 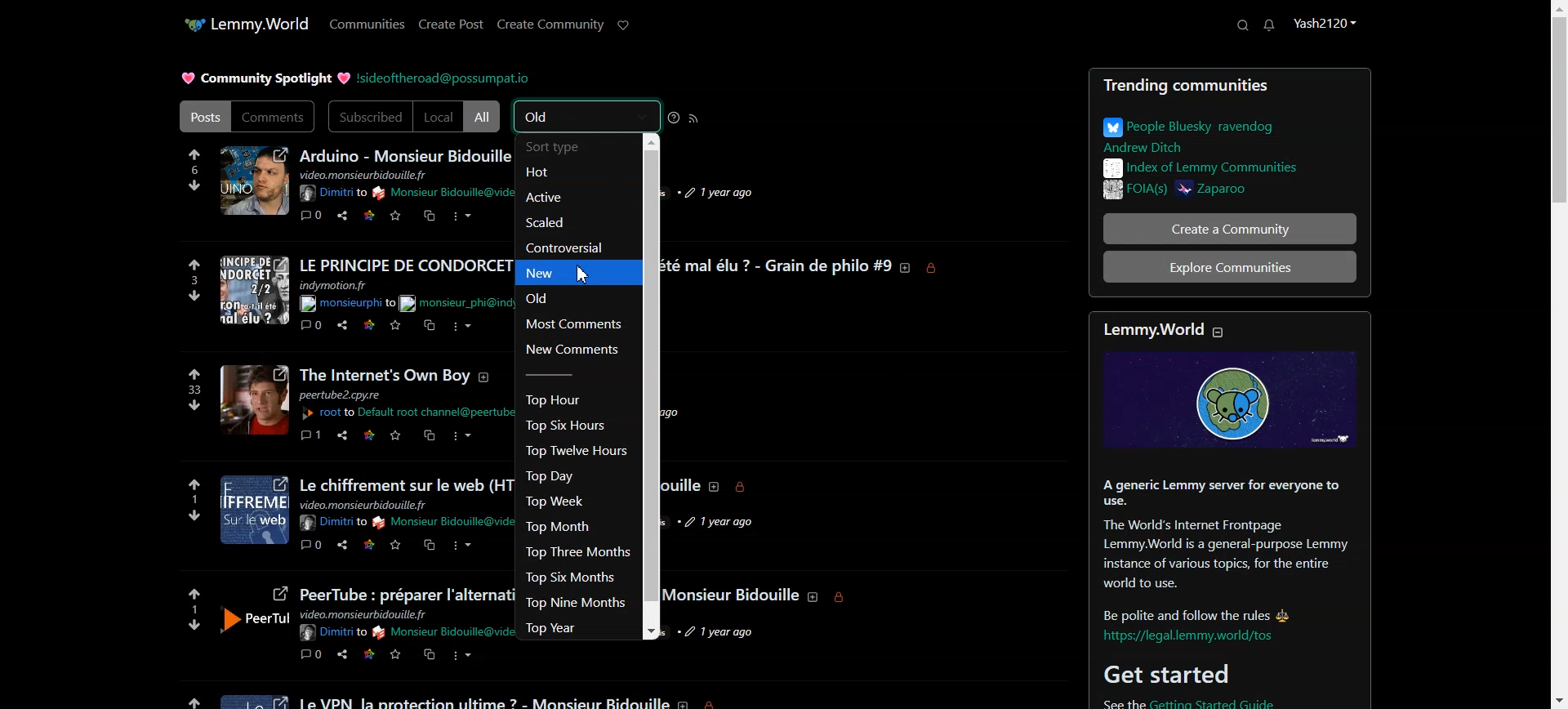 What do you see at coordinates (488, 377) in the screenshot?
I see `` at bounding box center [488, 377].